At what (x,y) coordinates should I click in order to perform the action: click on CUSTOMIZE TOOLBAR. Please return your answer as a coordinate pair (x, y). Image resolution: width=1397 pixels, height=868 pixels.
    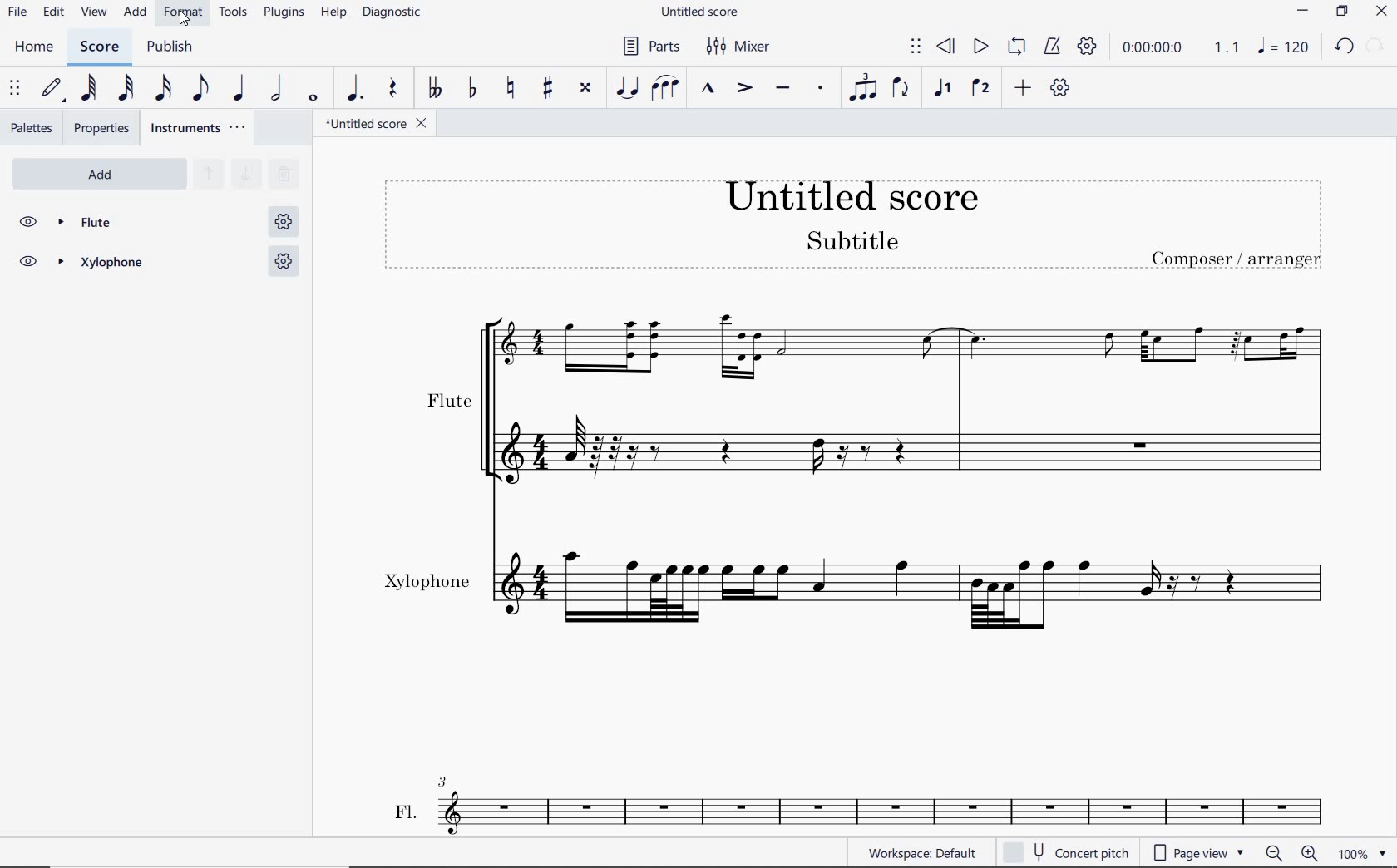
    Looking at the image, I should click on (1060, 89).